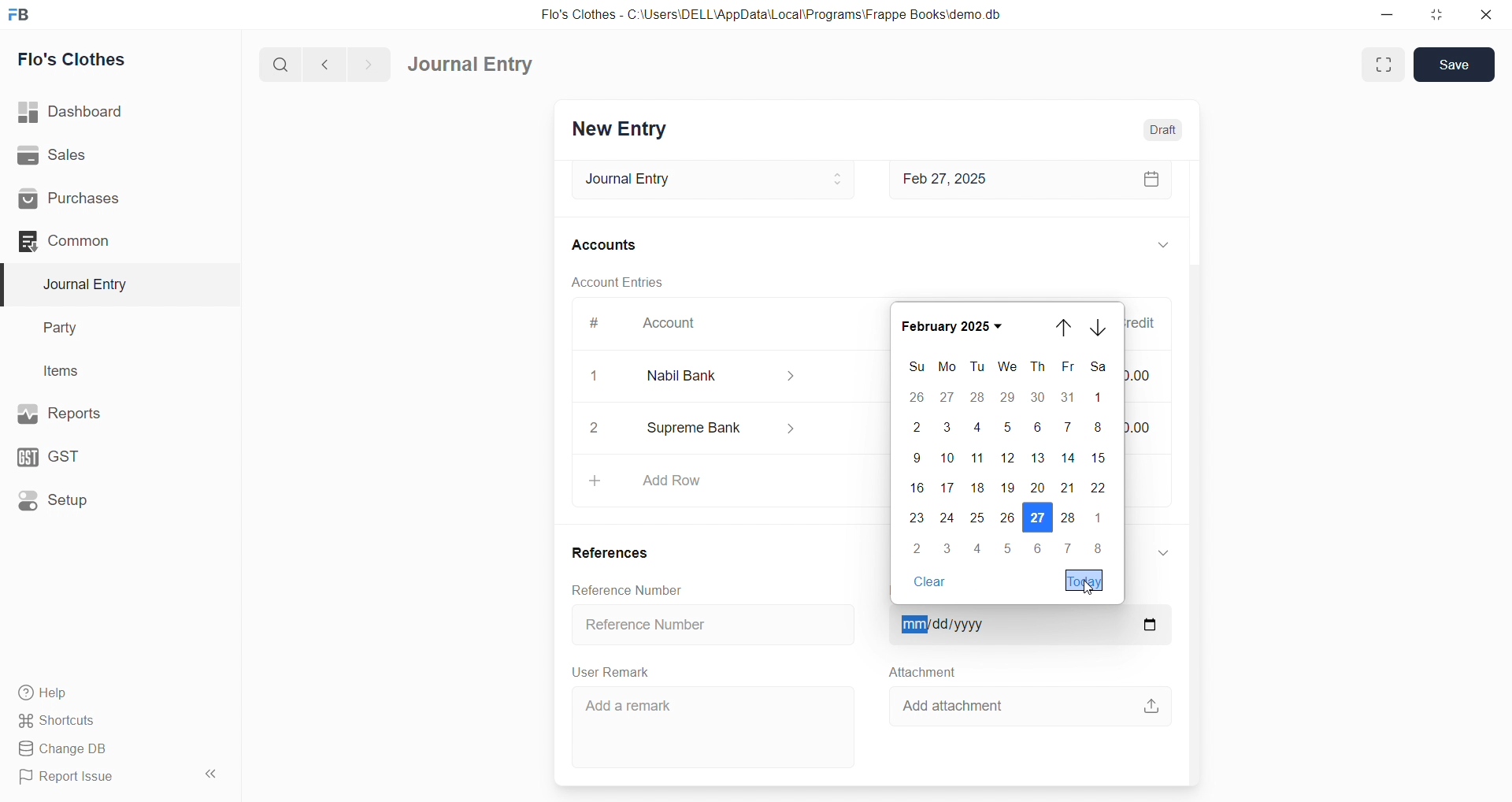  Describe the element at coordinates (213, 774) in the screenshot. I see `collapse sidebar` at that location.